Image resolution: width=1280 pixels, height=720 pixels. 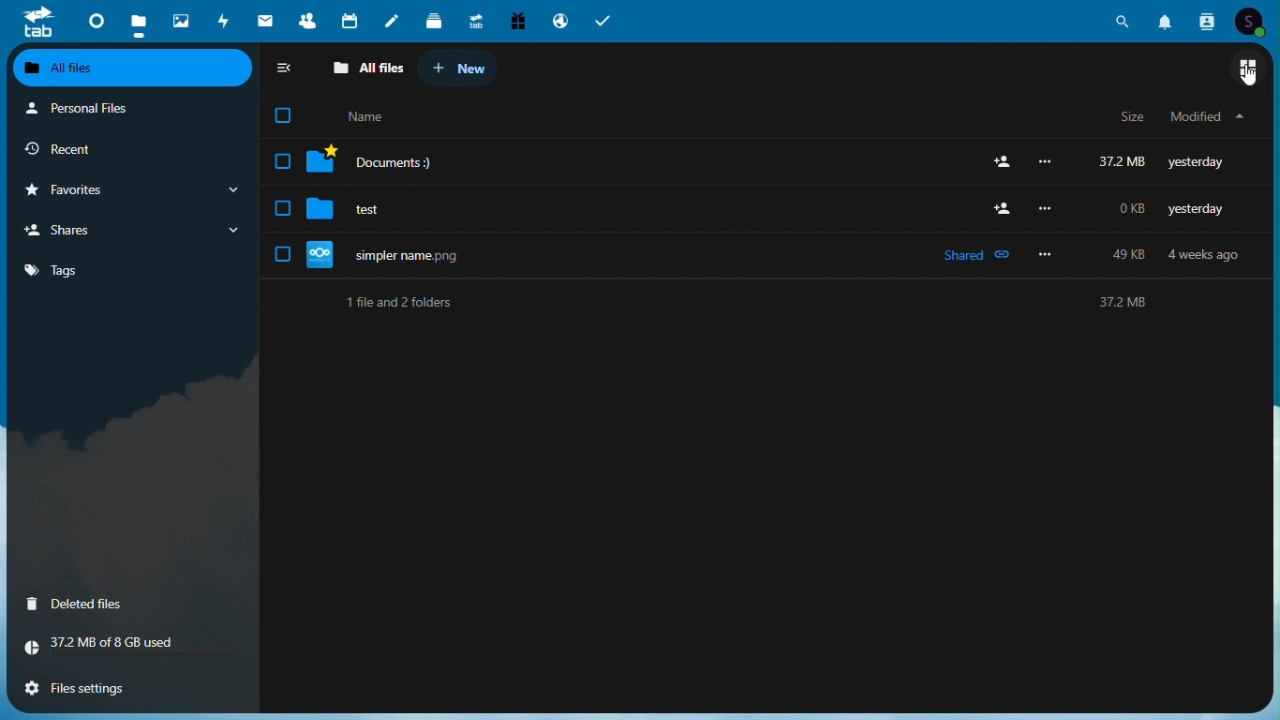 What do you see at coordinates (1251, 75) in the screenshot?
I see `cursor` at bounding box center [1251, 75].